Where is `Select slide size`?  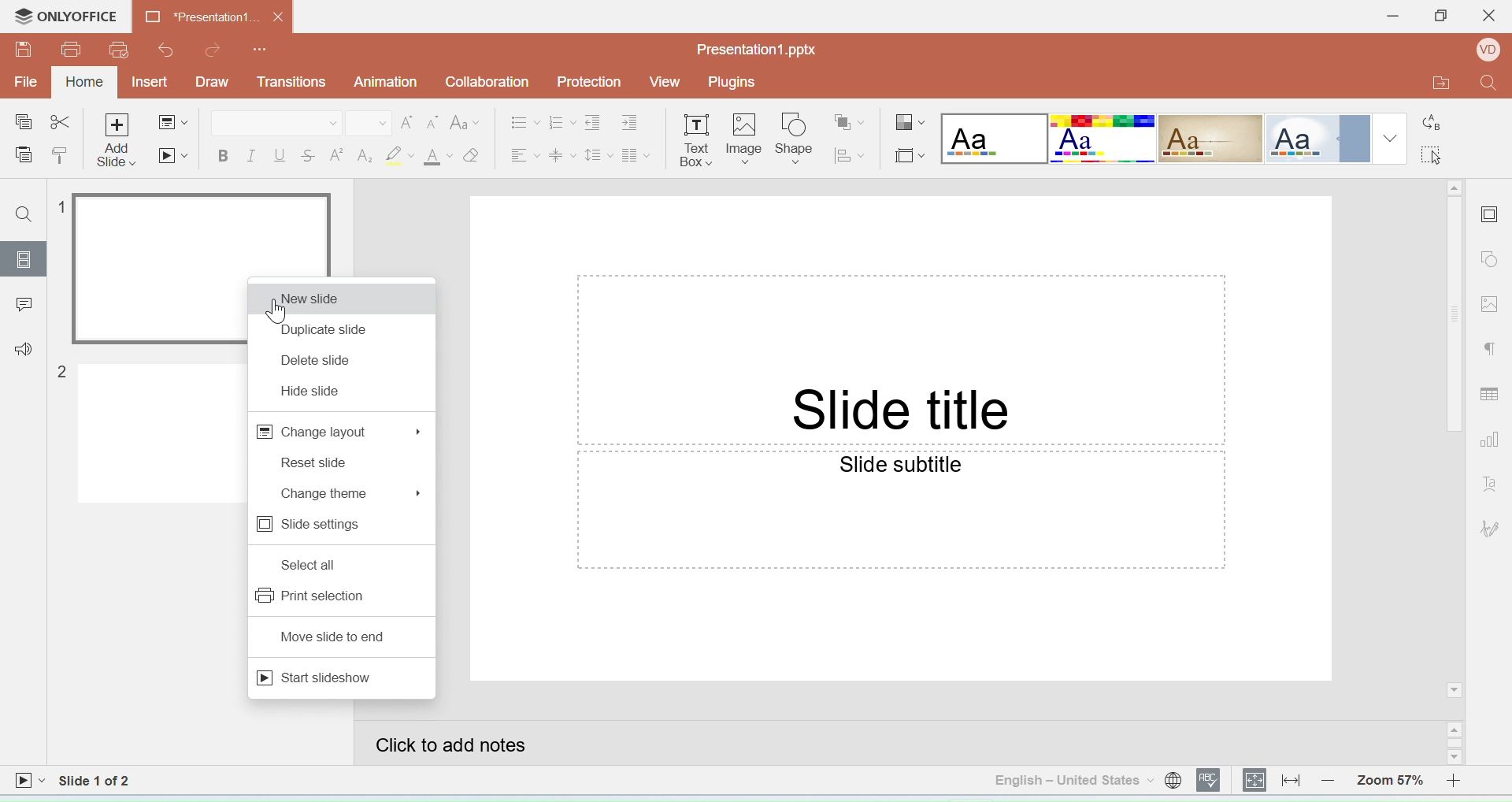
Select slide size is located at coordinates (909, 153).